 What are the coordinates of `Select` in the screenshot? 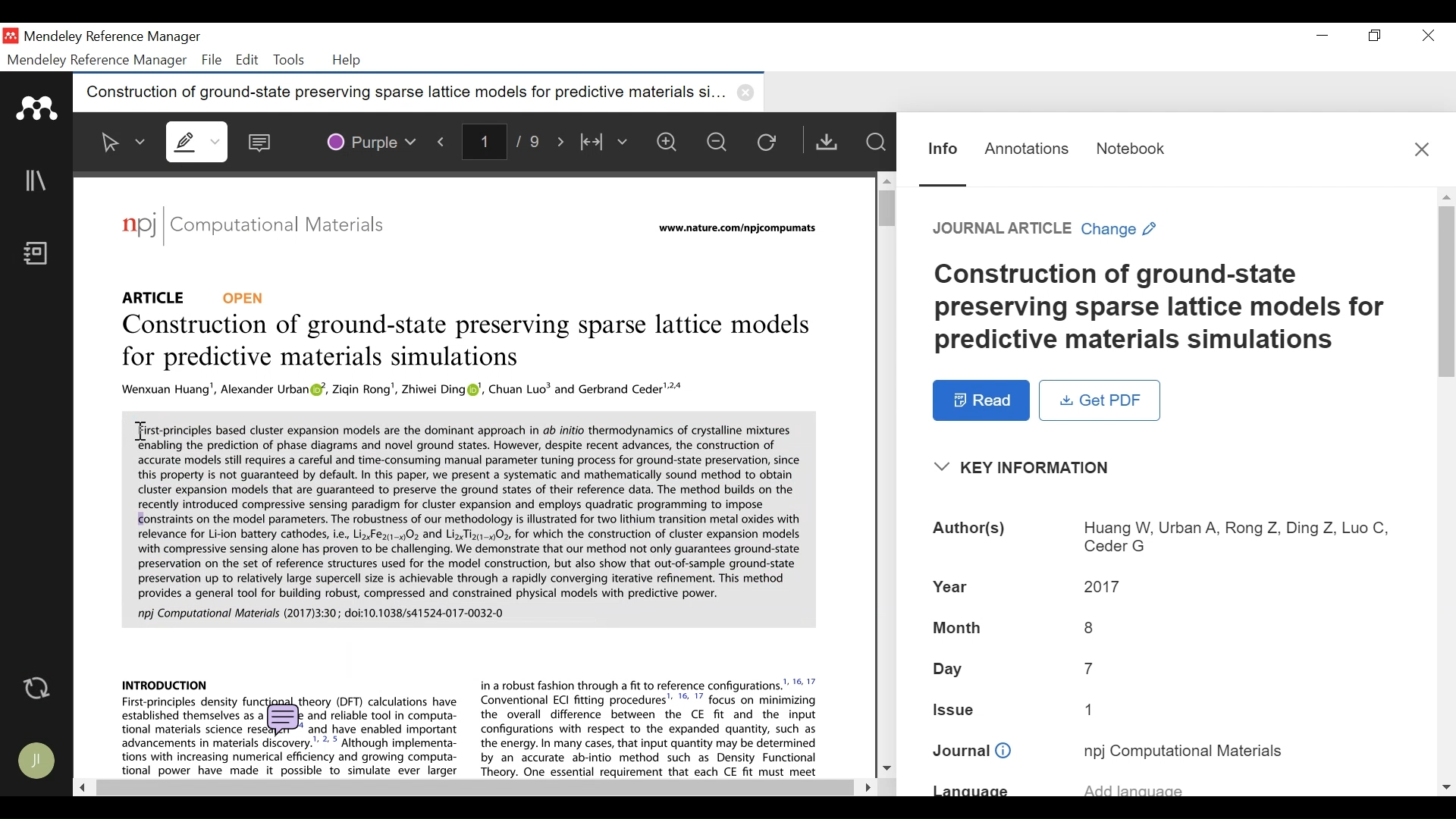 It's located at (124, 142).